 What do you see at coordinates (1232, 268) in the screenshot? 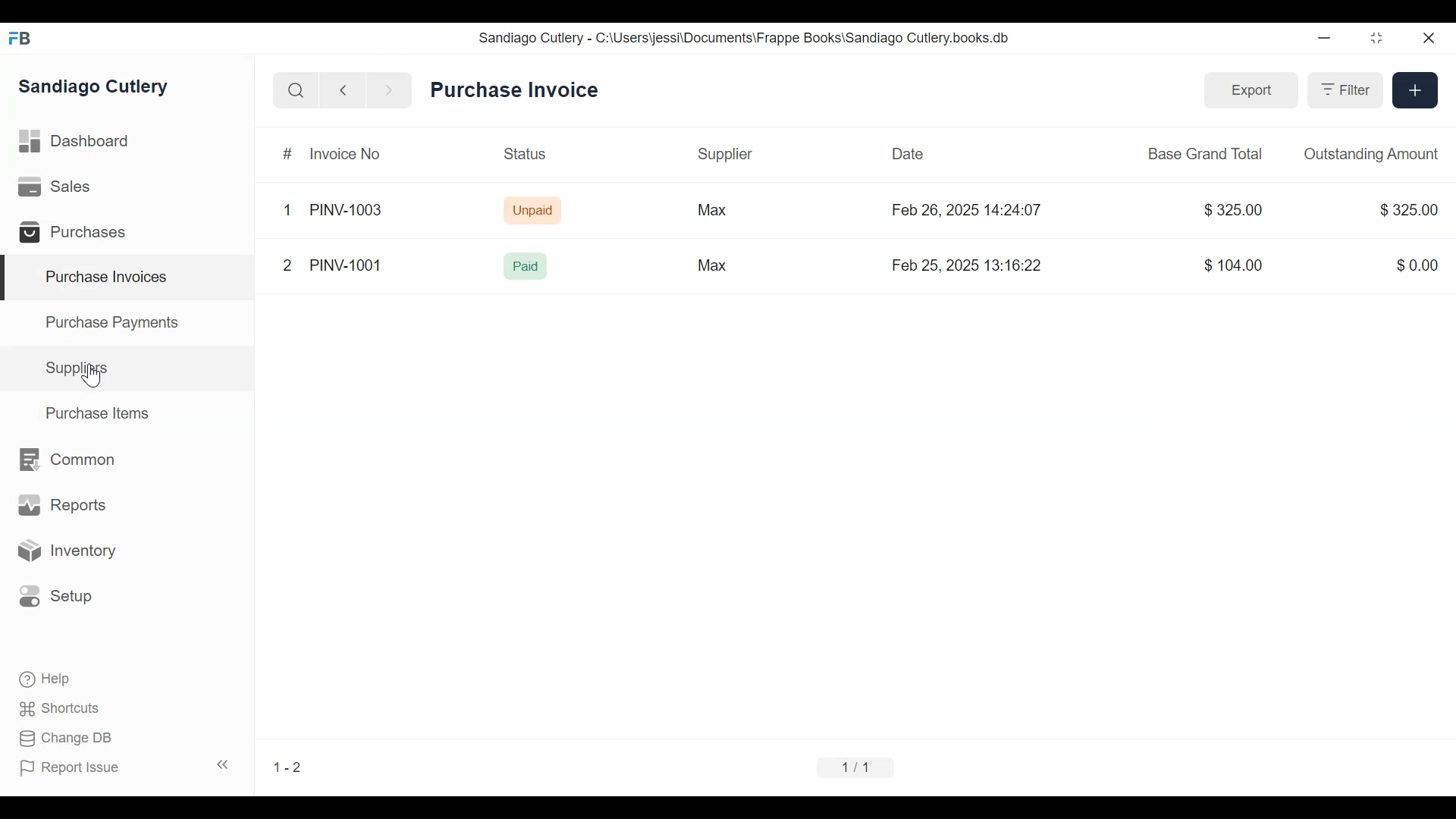
I see `$104.00` at bounding box center [1232, 268].